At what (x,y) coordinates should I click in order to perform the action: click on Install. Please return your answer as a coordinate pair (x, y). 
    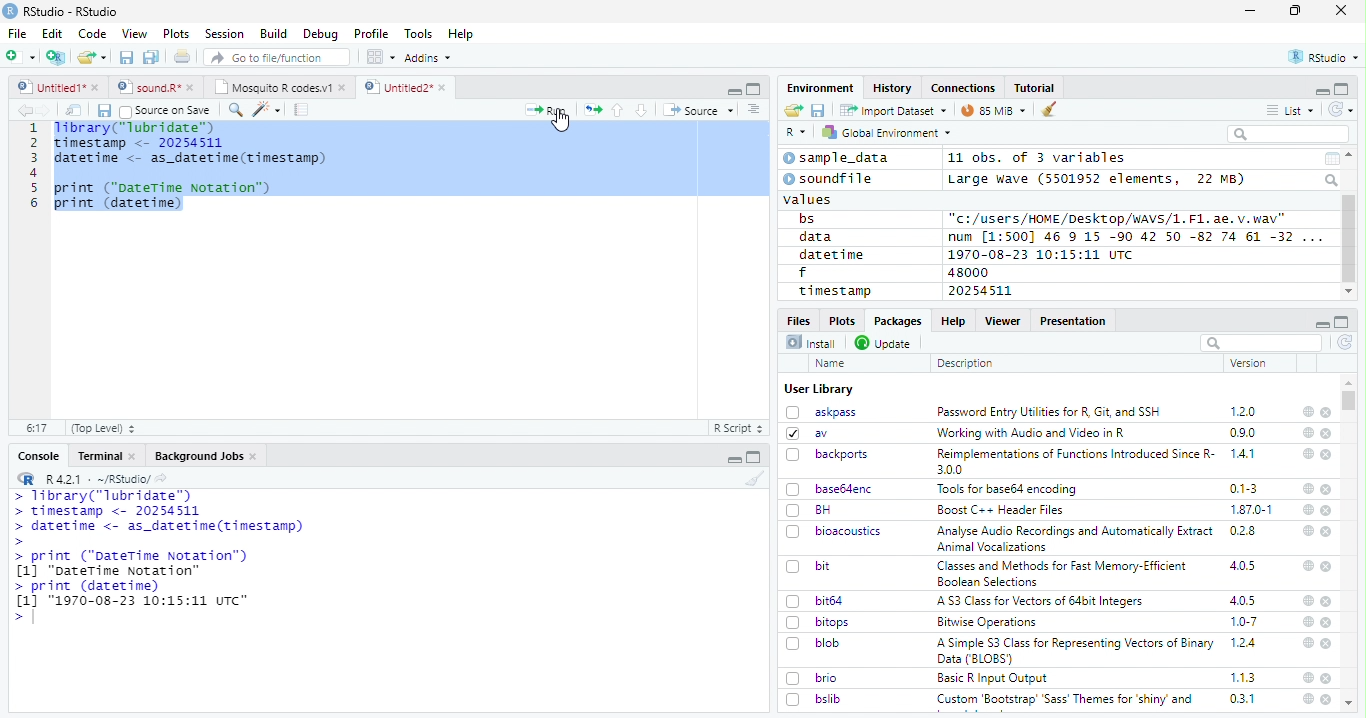
    Looking at the image, I should click on (811, 342).